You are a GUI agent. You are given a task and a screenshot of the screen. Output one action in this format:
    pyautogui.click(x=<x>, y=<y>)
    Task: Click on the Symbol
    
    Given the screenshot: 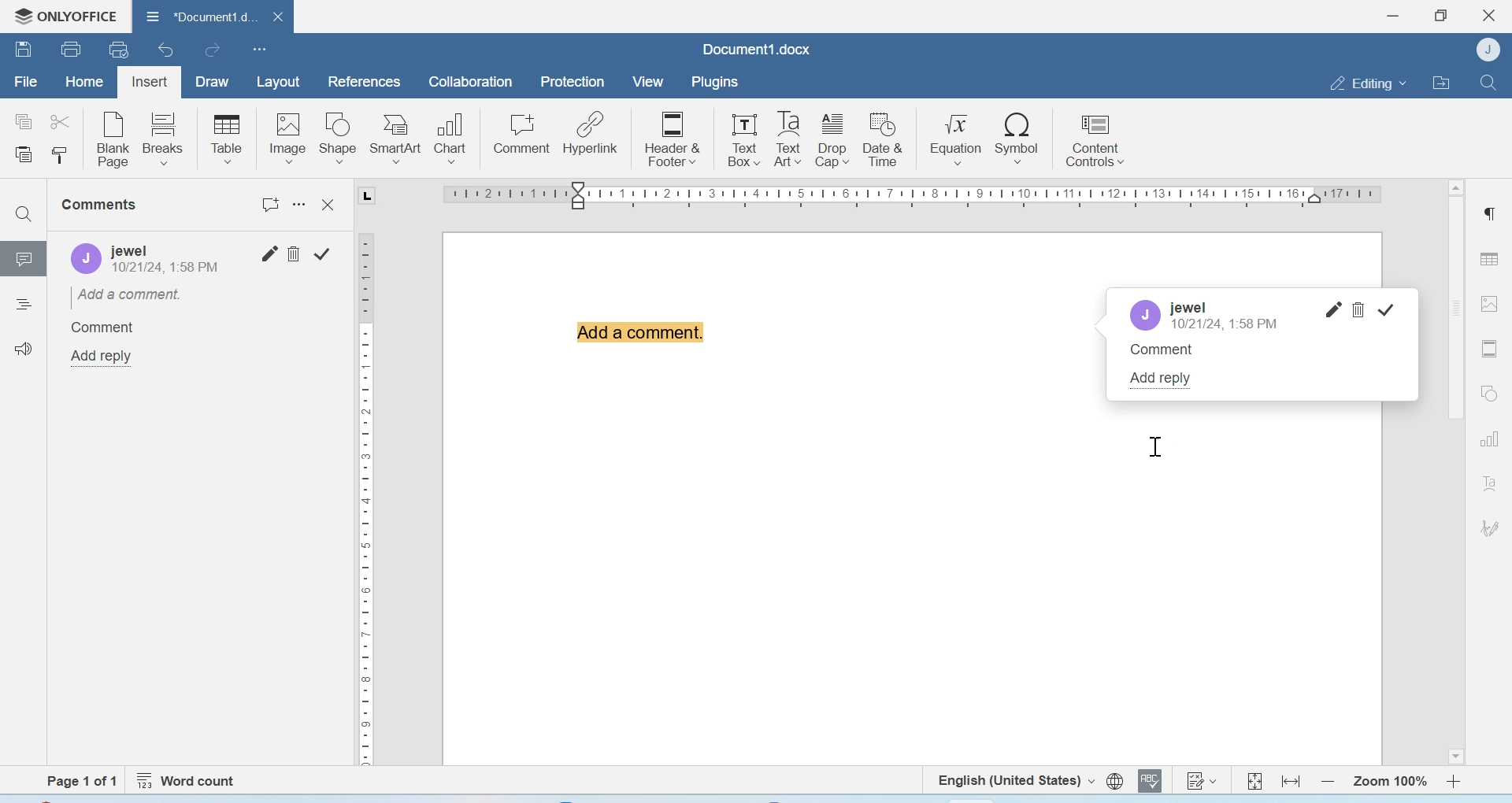 What is the action you would take?
    pyautogui.click(x=1018, y=137)
    